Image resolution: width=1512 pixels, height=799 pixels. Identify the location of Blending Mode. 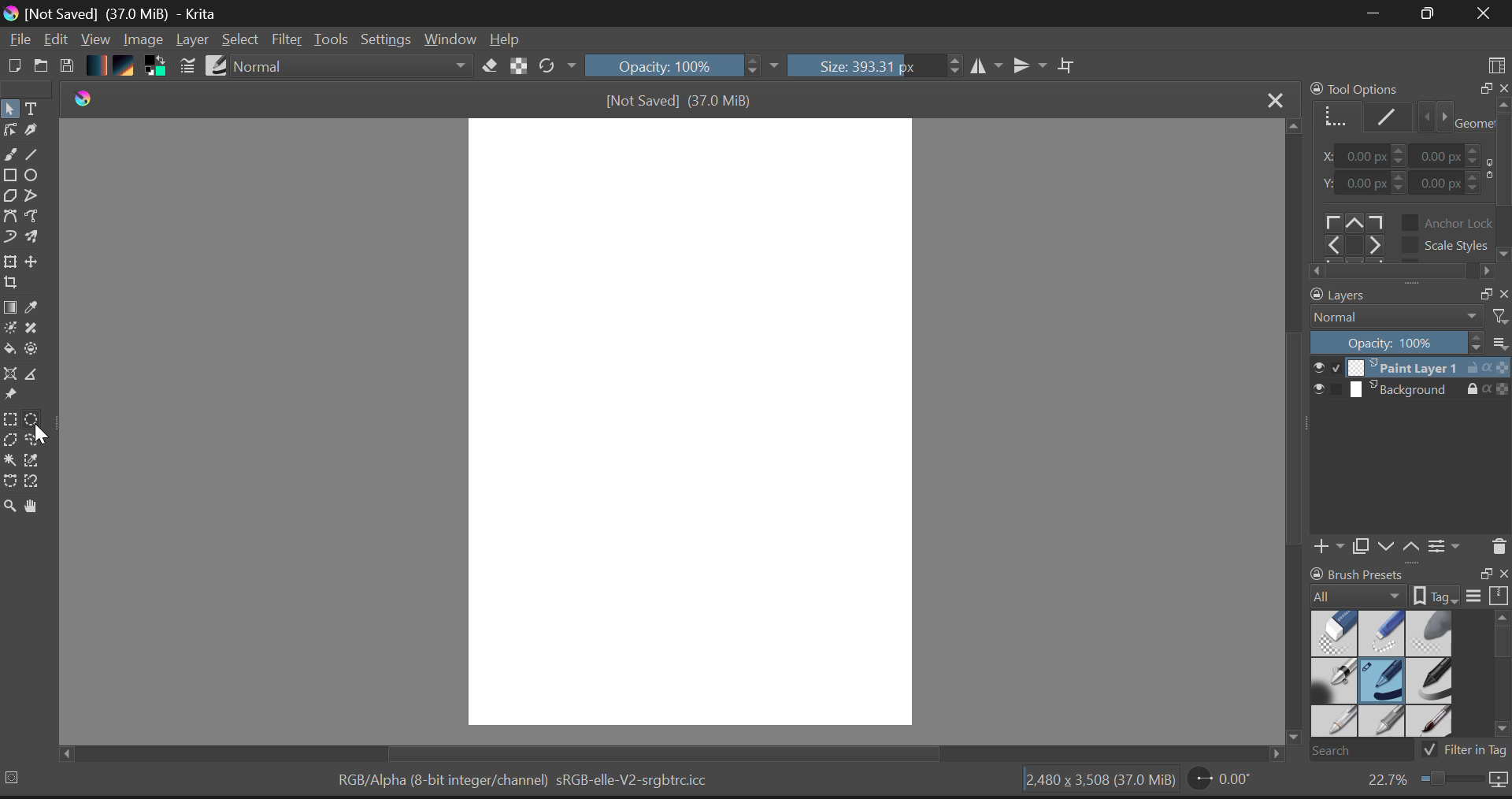
(351, 68).